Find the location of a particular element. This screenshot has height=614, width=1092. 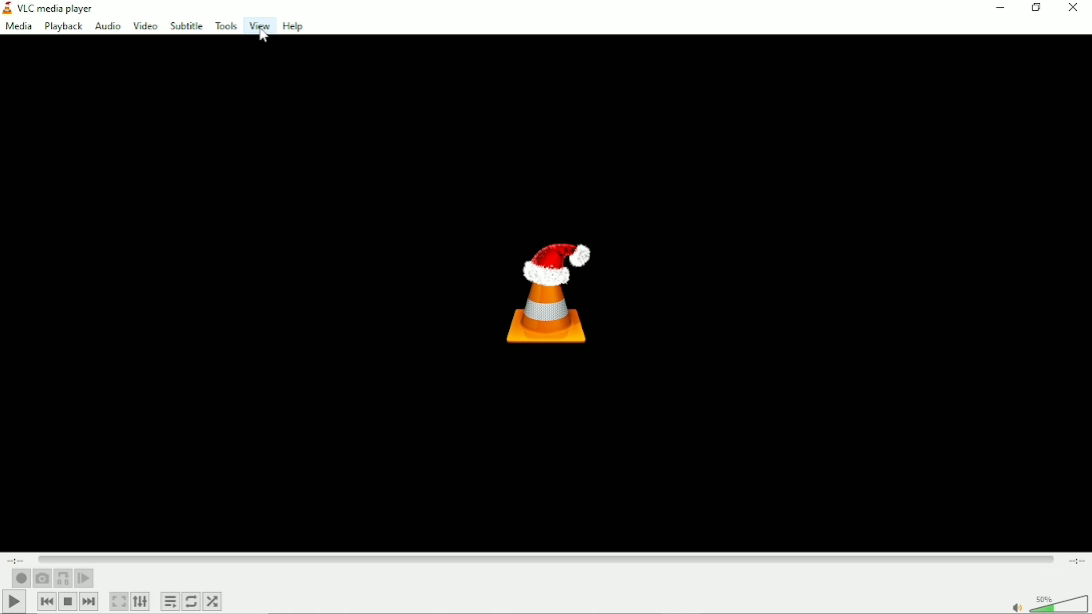

Frame by frame is located at coordinates (84, 579).